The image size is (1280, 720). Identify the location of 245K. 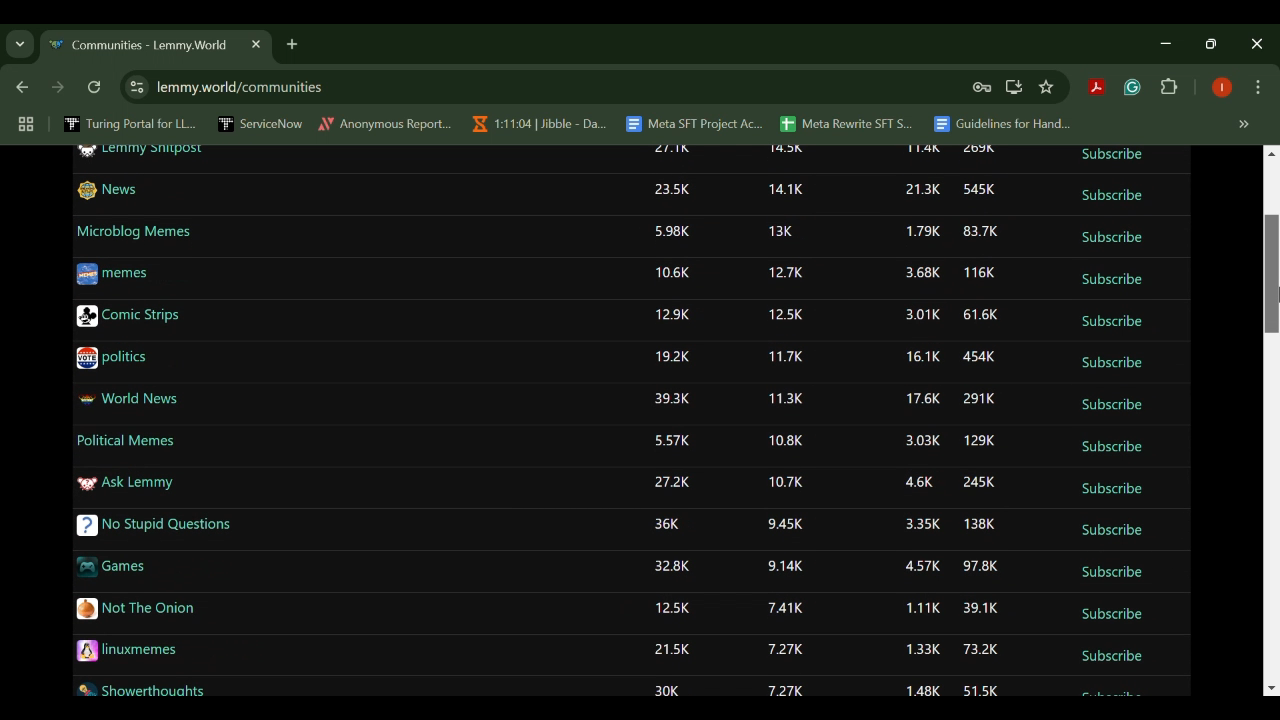
(979, 483).